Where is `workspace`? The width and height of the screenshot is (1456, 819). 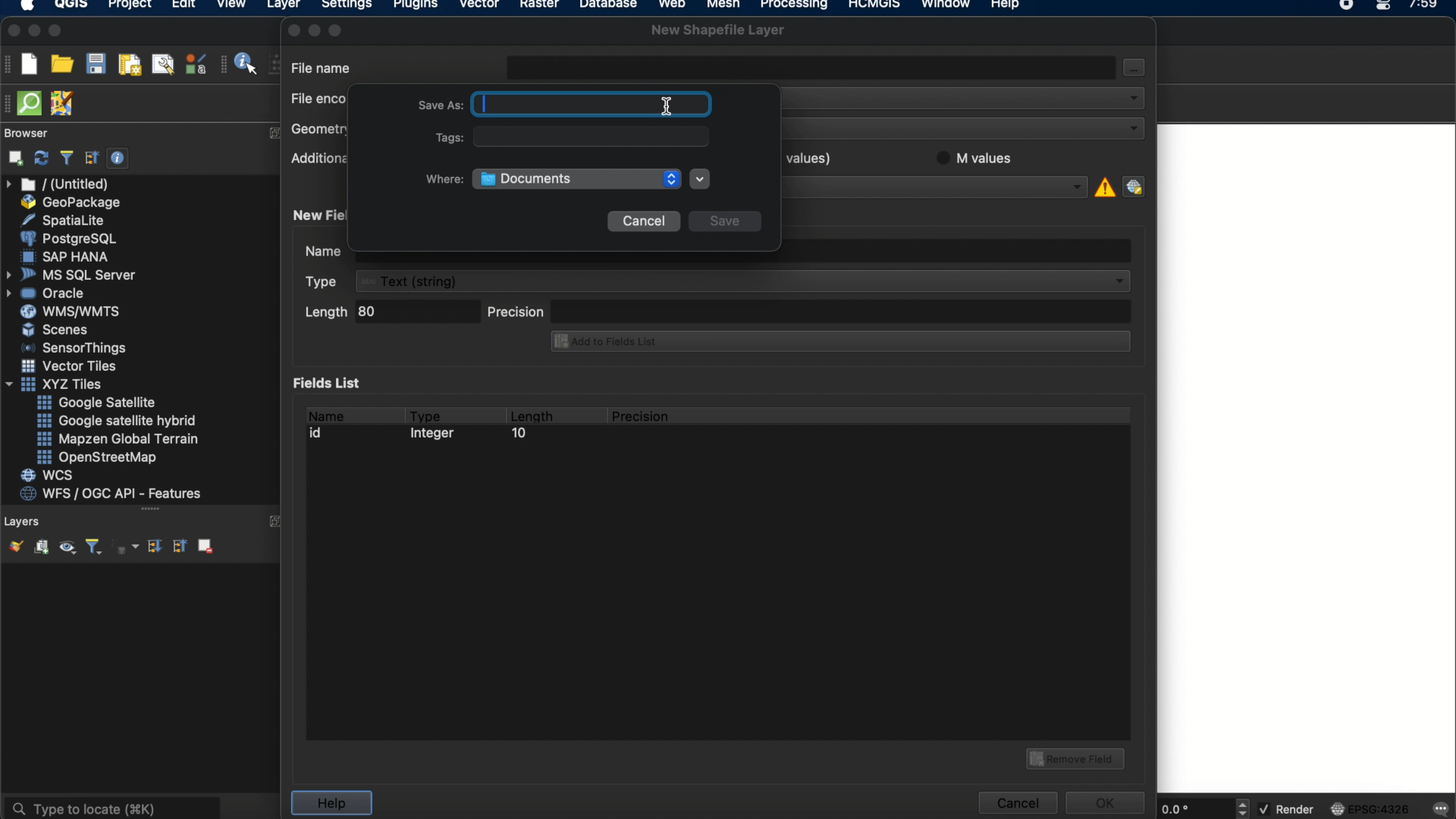
workspace is located at coordinates (1307, 457).